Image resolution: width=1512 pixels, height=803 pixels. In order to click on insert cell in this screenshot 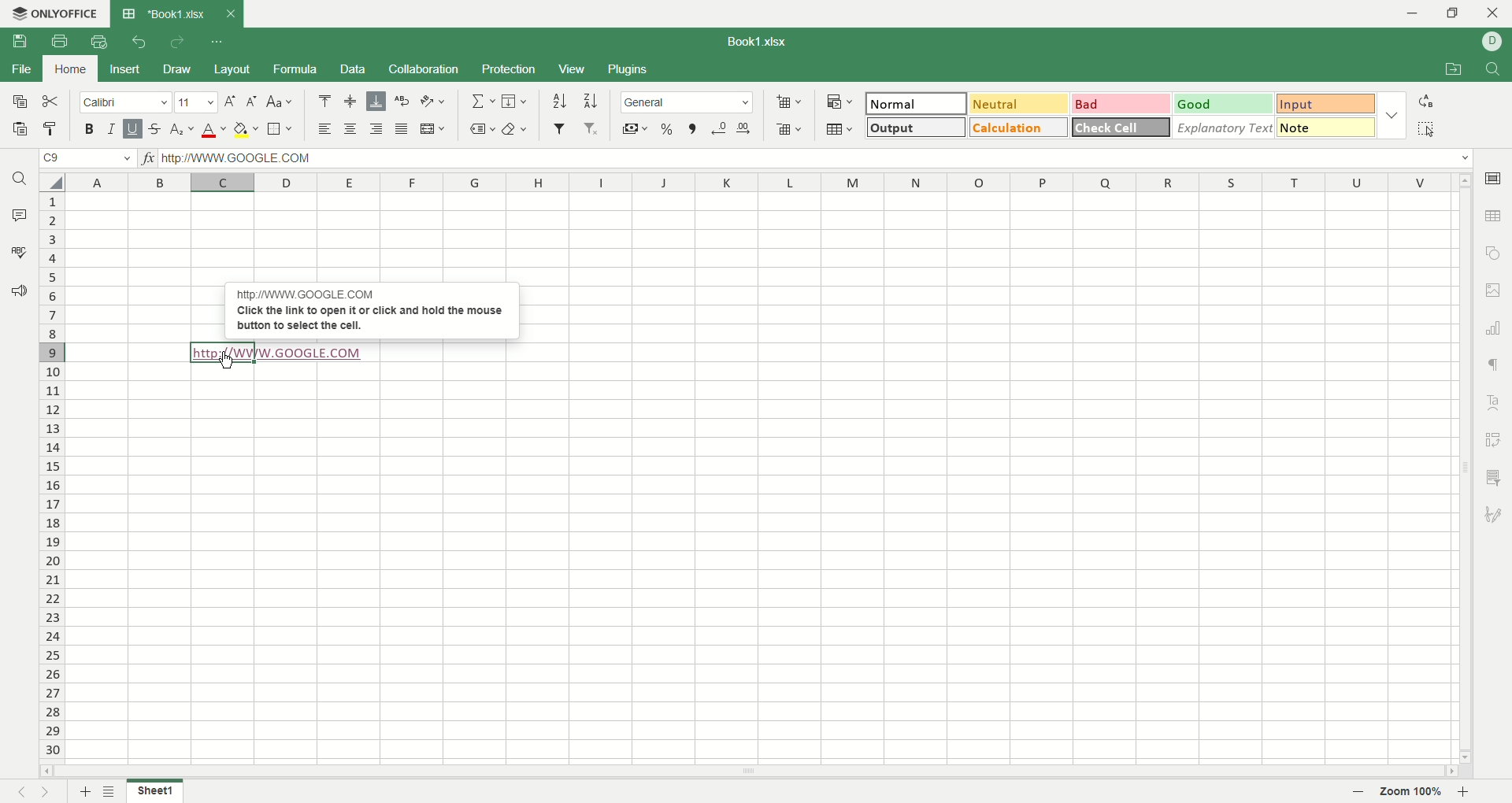, I will do `click(789, 102)`.